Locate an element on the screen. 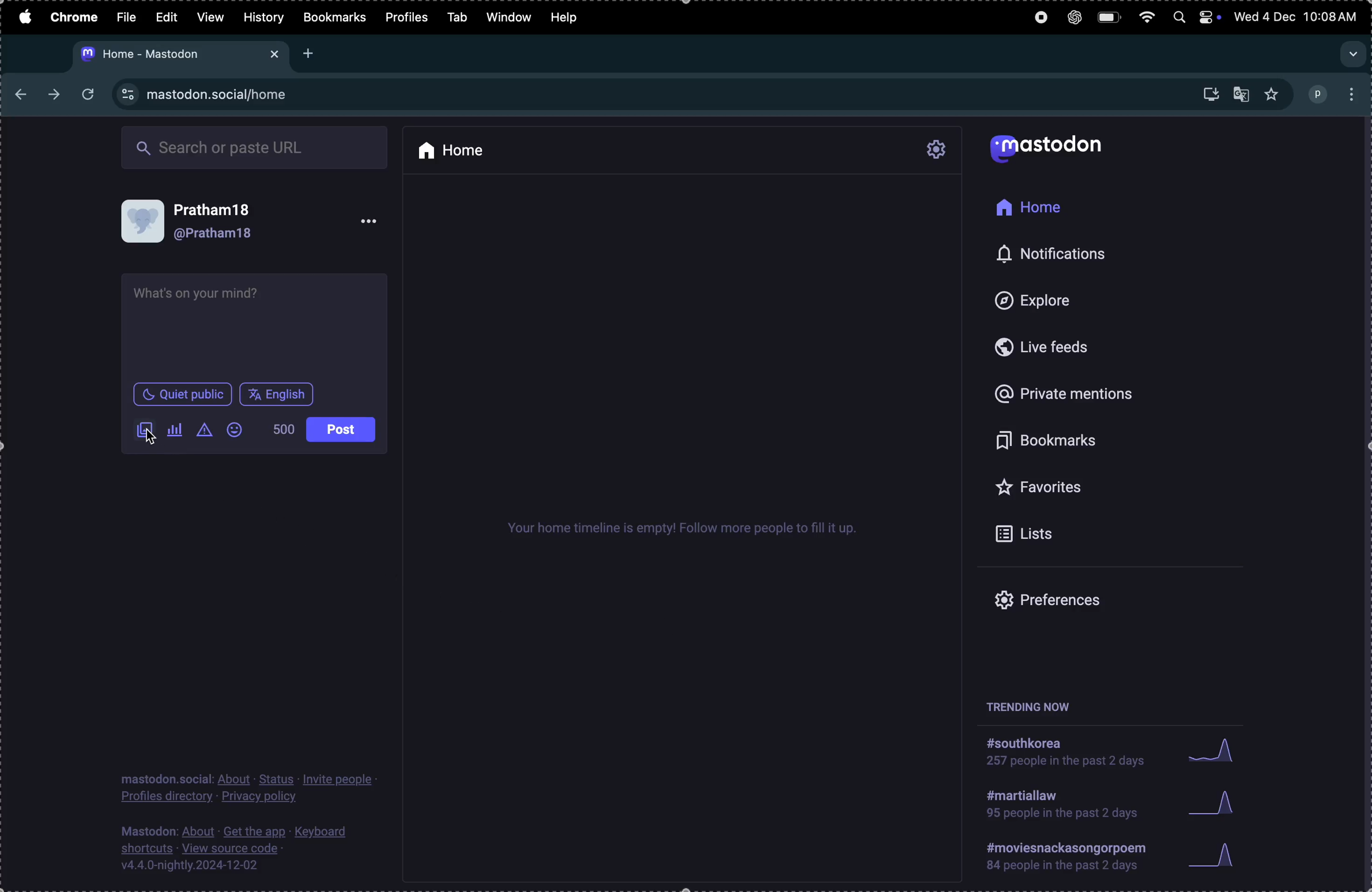 The height and width of the screenshot is (892, 1372). window is located at coordinates (509, 17).